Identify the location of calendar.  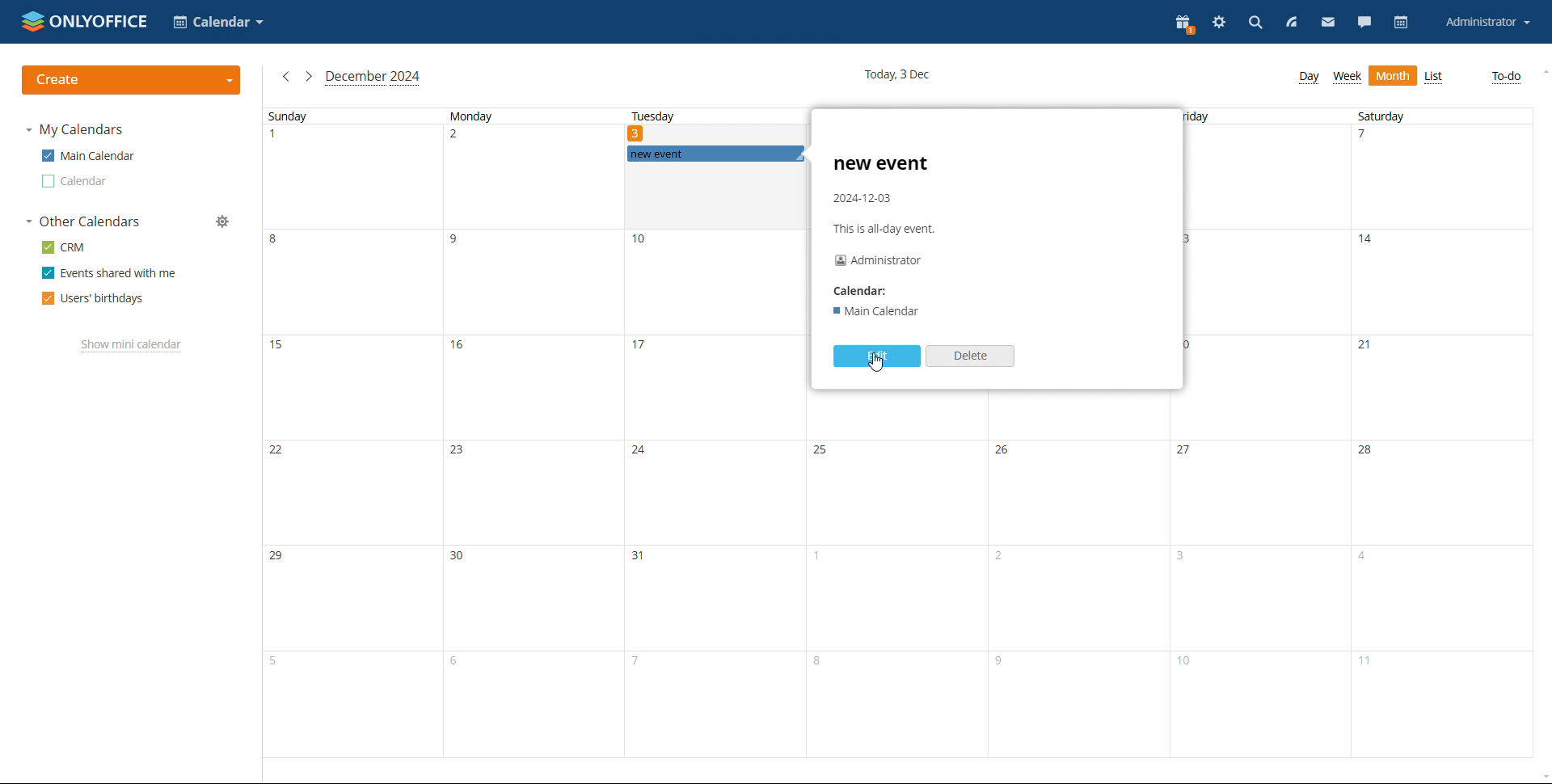
(1403, 23).